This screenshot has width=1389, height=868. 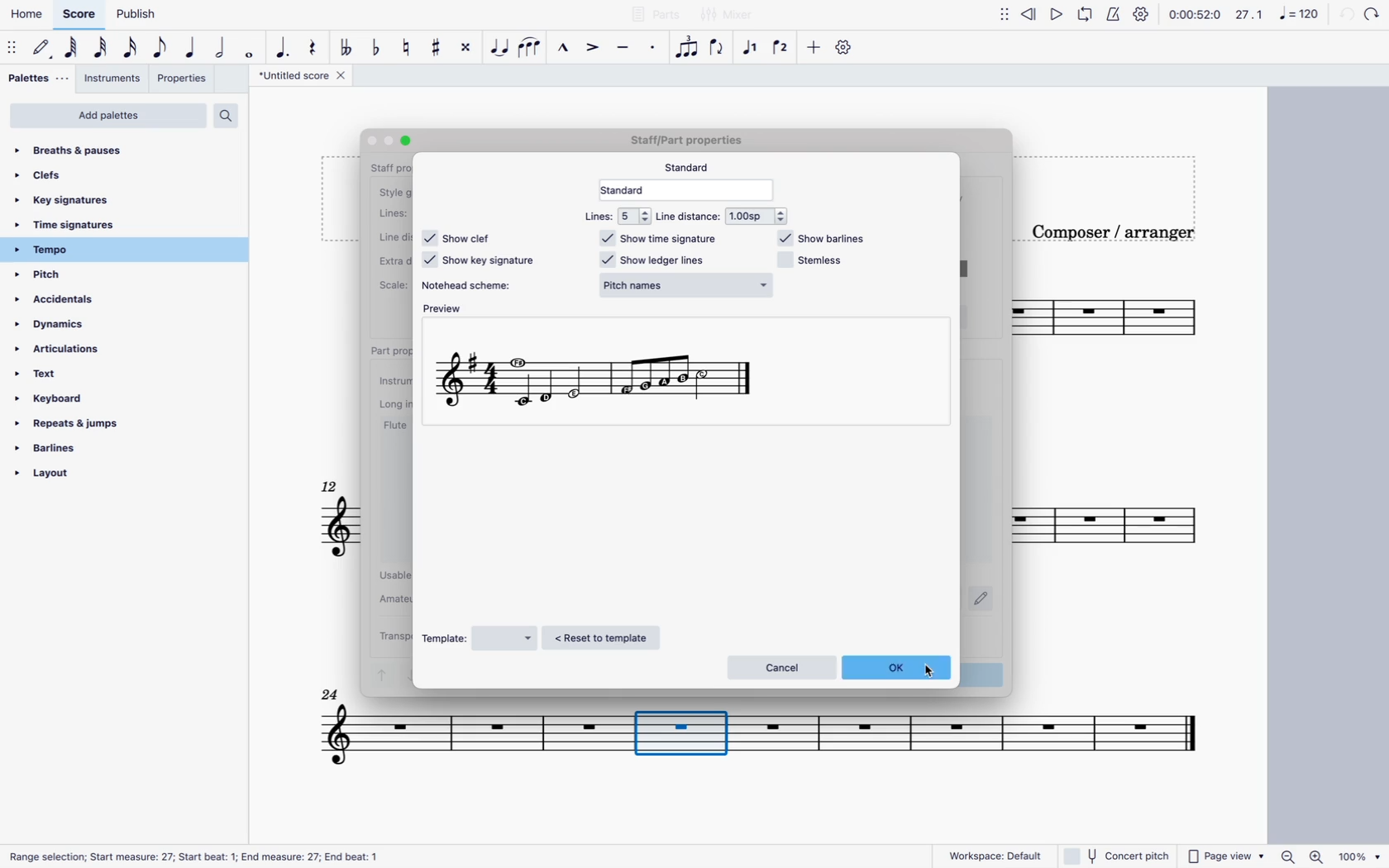 I want to click on scale, so click(x=1277, y=15).